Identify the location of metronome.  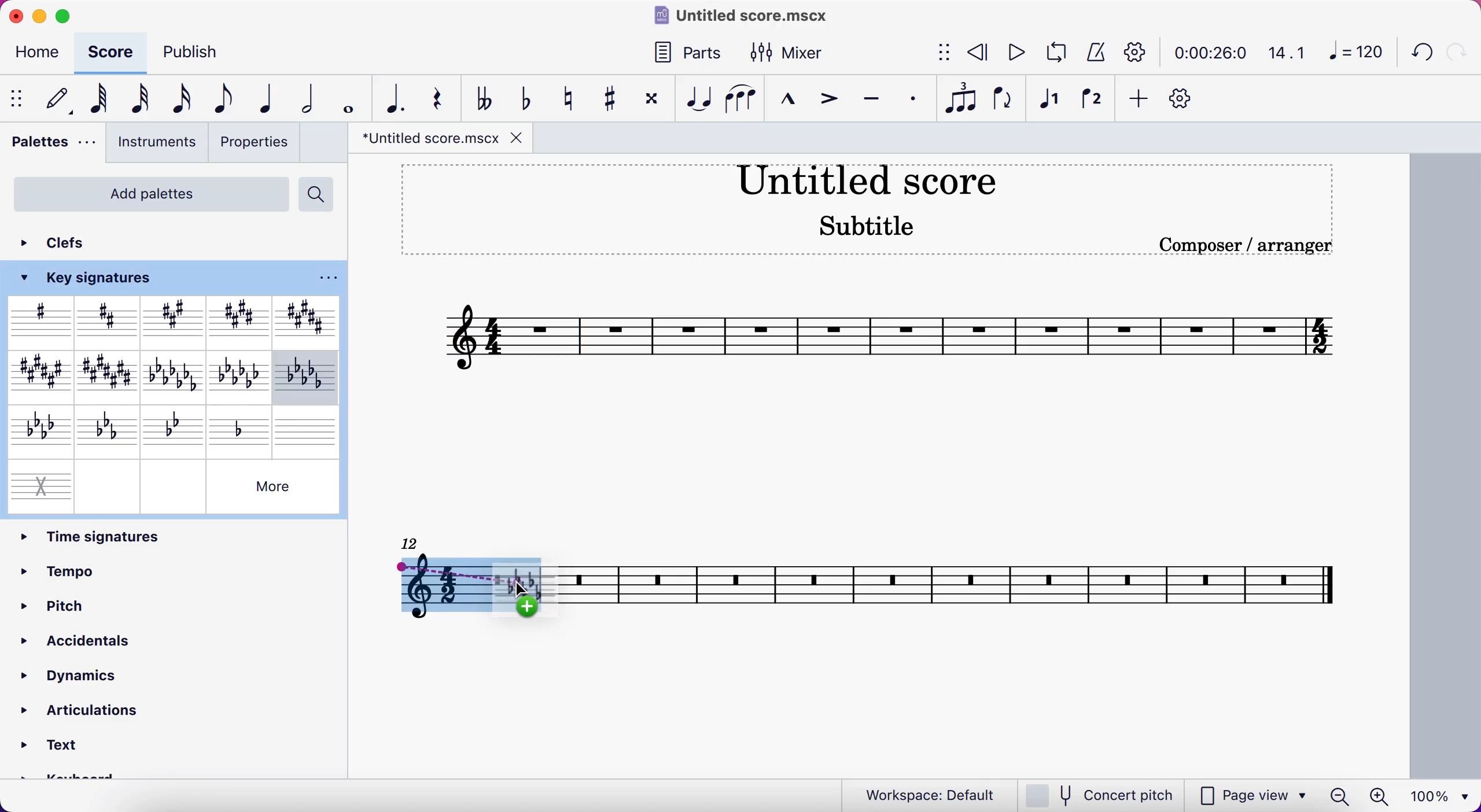
(1094, 53).